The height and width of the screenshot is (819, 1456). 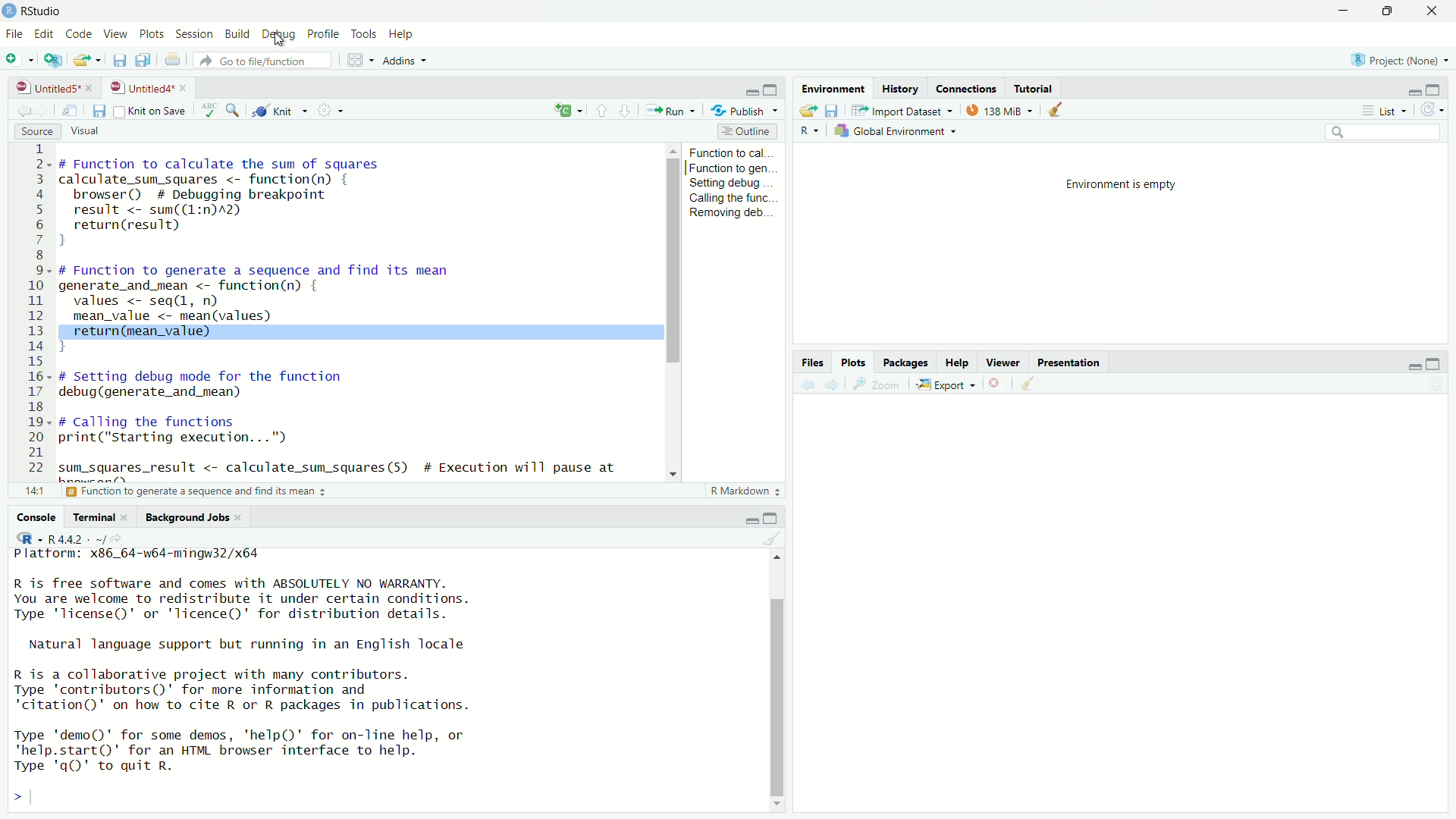 What do you see at coordinates (149, 111) in the screenshot?
I see `source on save` at bounding box center [149, 111].